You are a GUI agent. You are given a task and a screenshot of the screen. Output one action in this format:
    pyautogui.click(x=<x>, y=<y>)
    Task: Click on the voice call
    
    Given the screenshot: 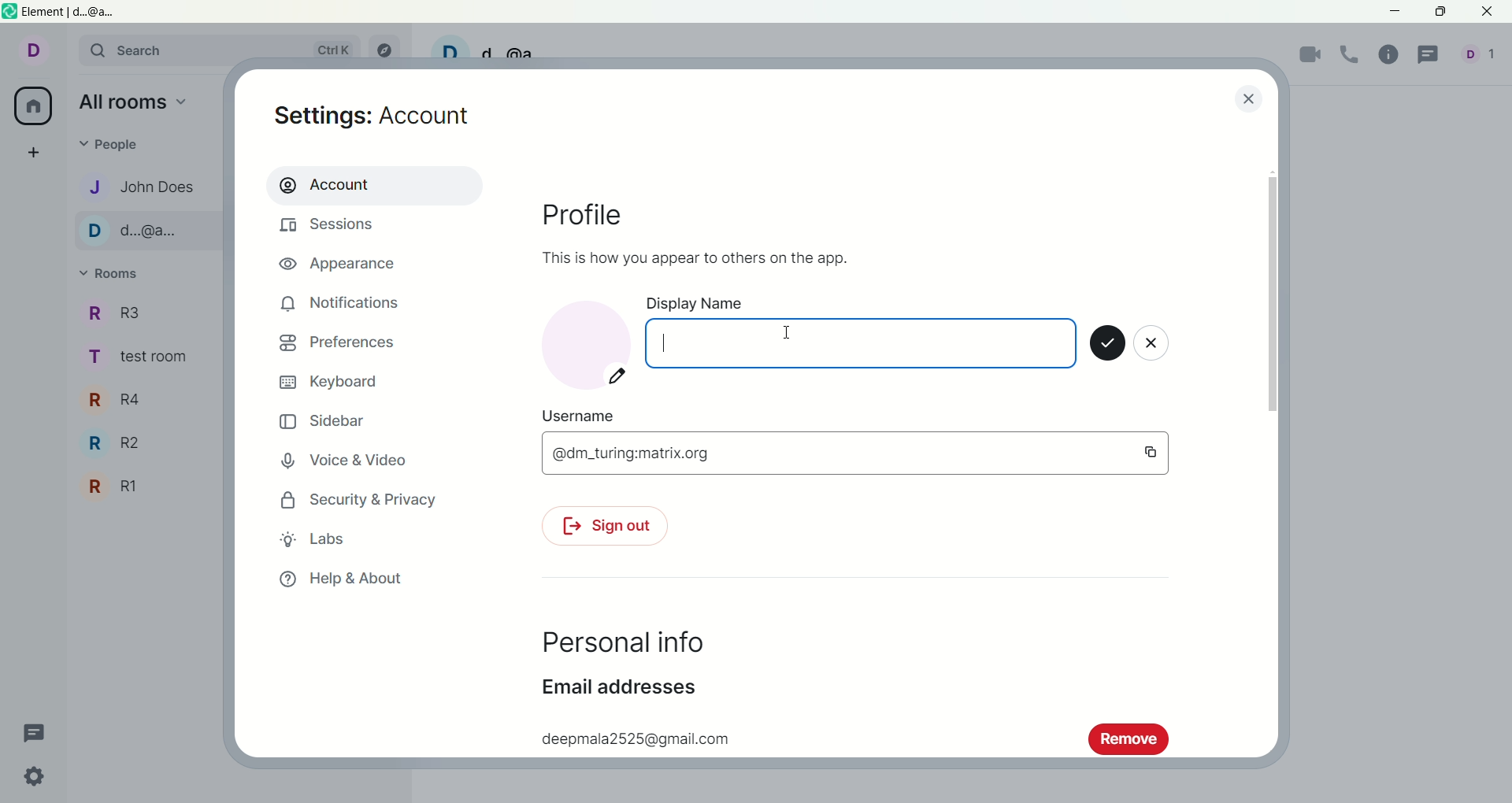 What is the action you would take?
    pyautogui.click(x=1354, y=55)
    